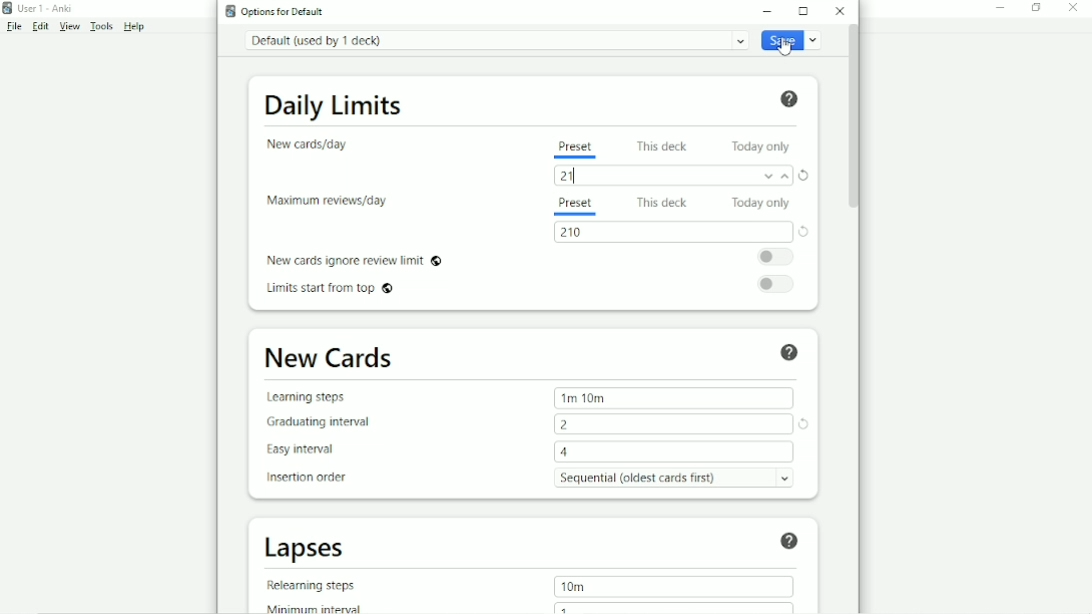 This screenshot has width=1092, height=614. Describe the element at coordinates (805, 174) in the screenshot. I see `Restore this setting to its default value` at that location.